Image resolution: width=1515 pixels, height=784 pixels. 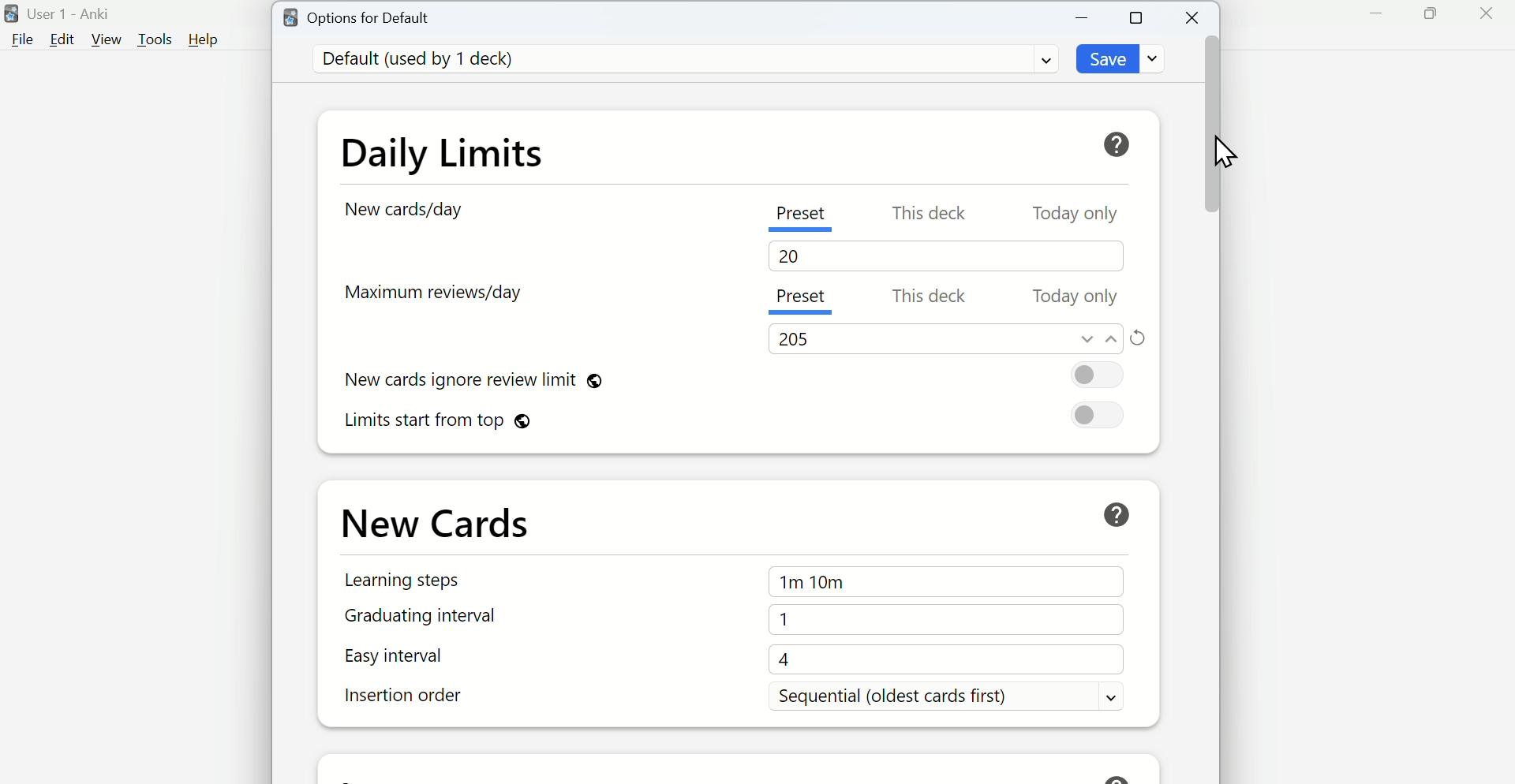 What do you see at coordinates (1087, 338) in the screenshot?
I see `Move down` at bounding box center [1087, 338].